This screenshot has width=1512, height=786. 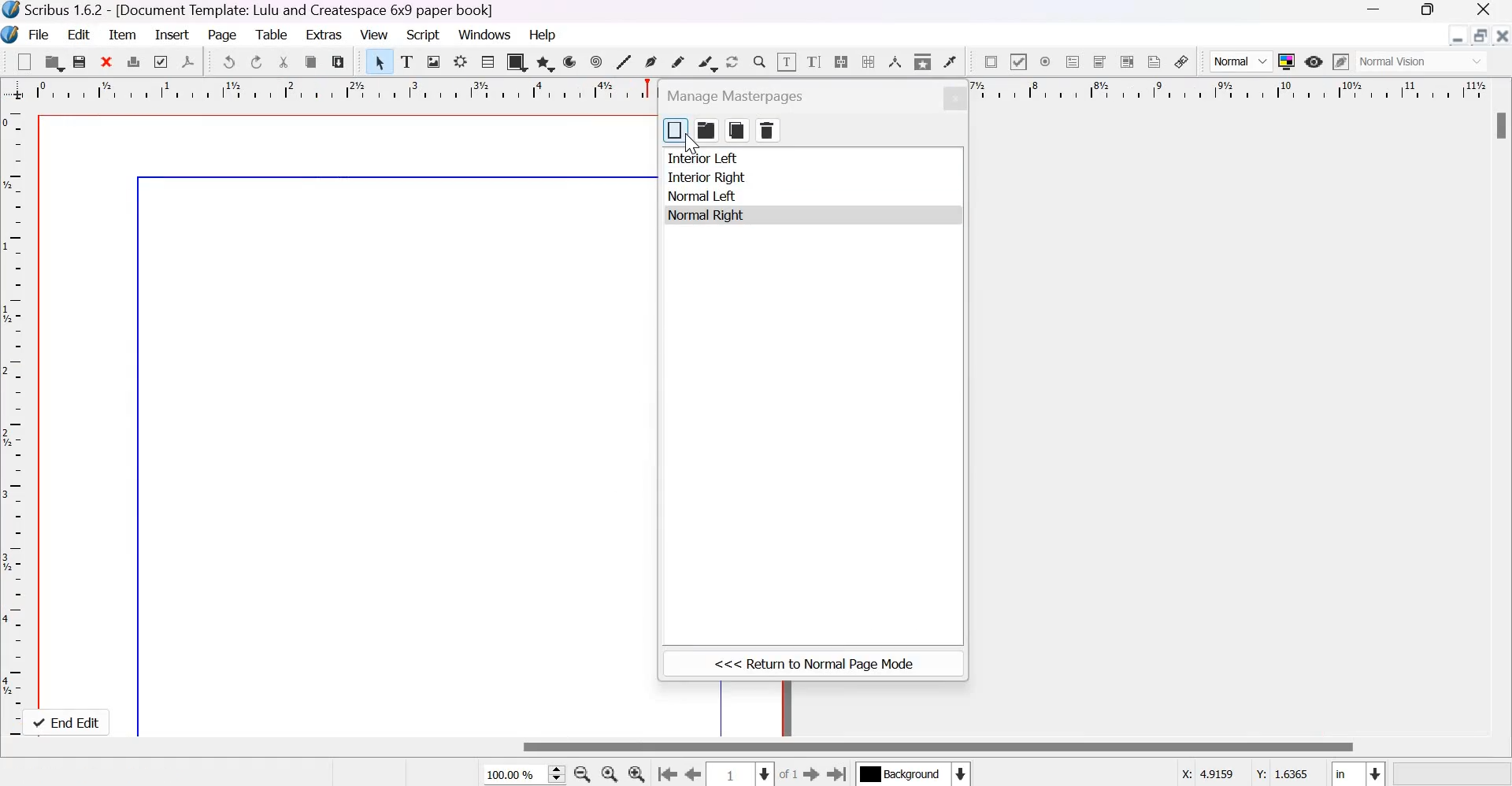 I want to click on Scrollbar, so click(x=939, y=747).